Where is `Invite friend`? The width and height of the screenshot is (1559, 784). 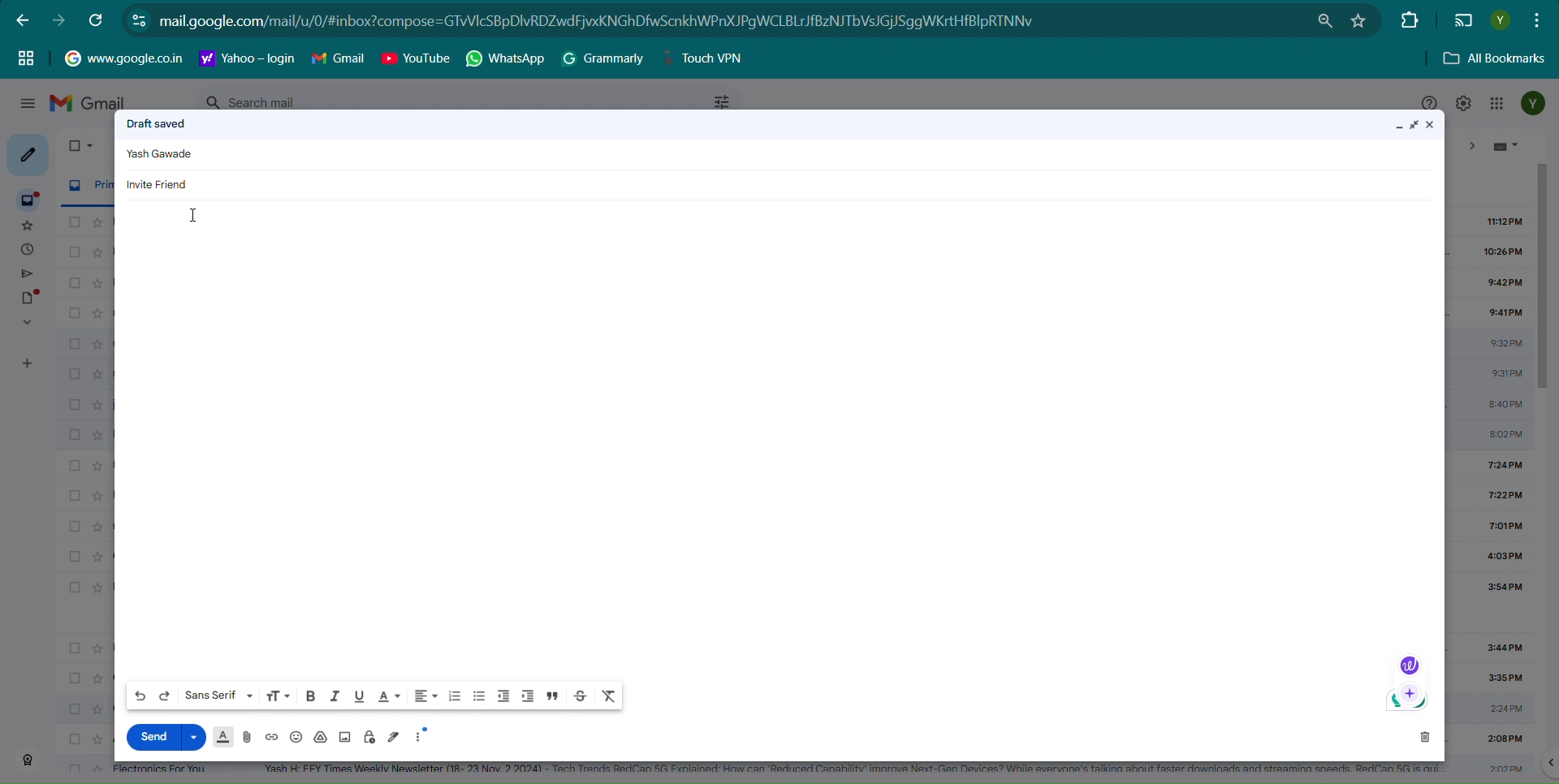 Invite friend is located at coordinates (159, 183).